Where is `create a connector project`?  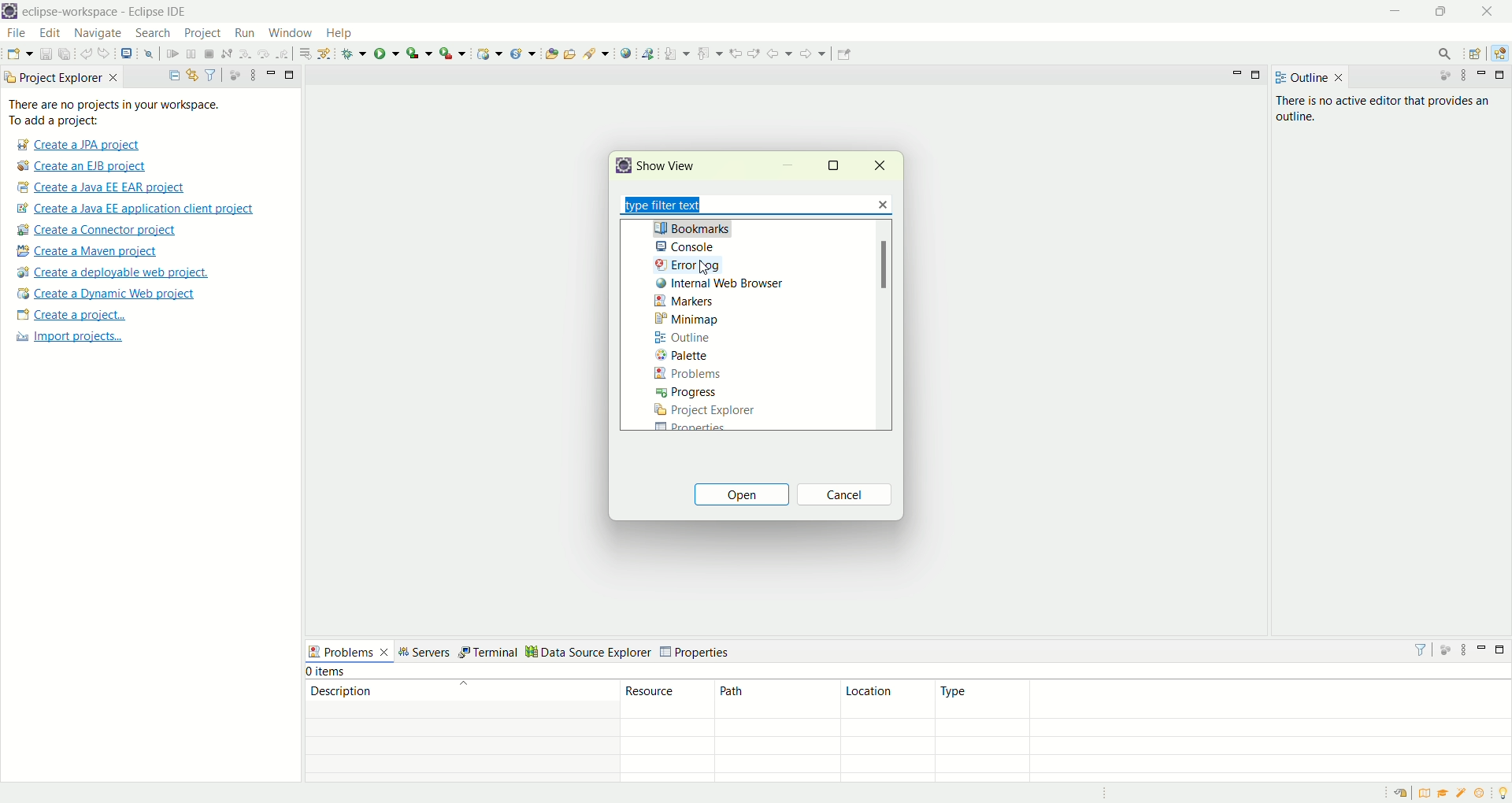 create a connector project is located at coordinates (98, 231).